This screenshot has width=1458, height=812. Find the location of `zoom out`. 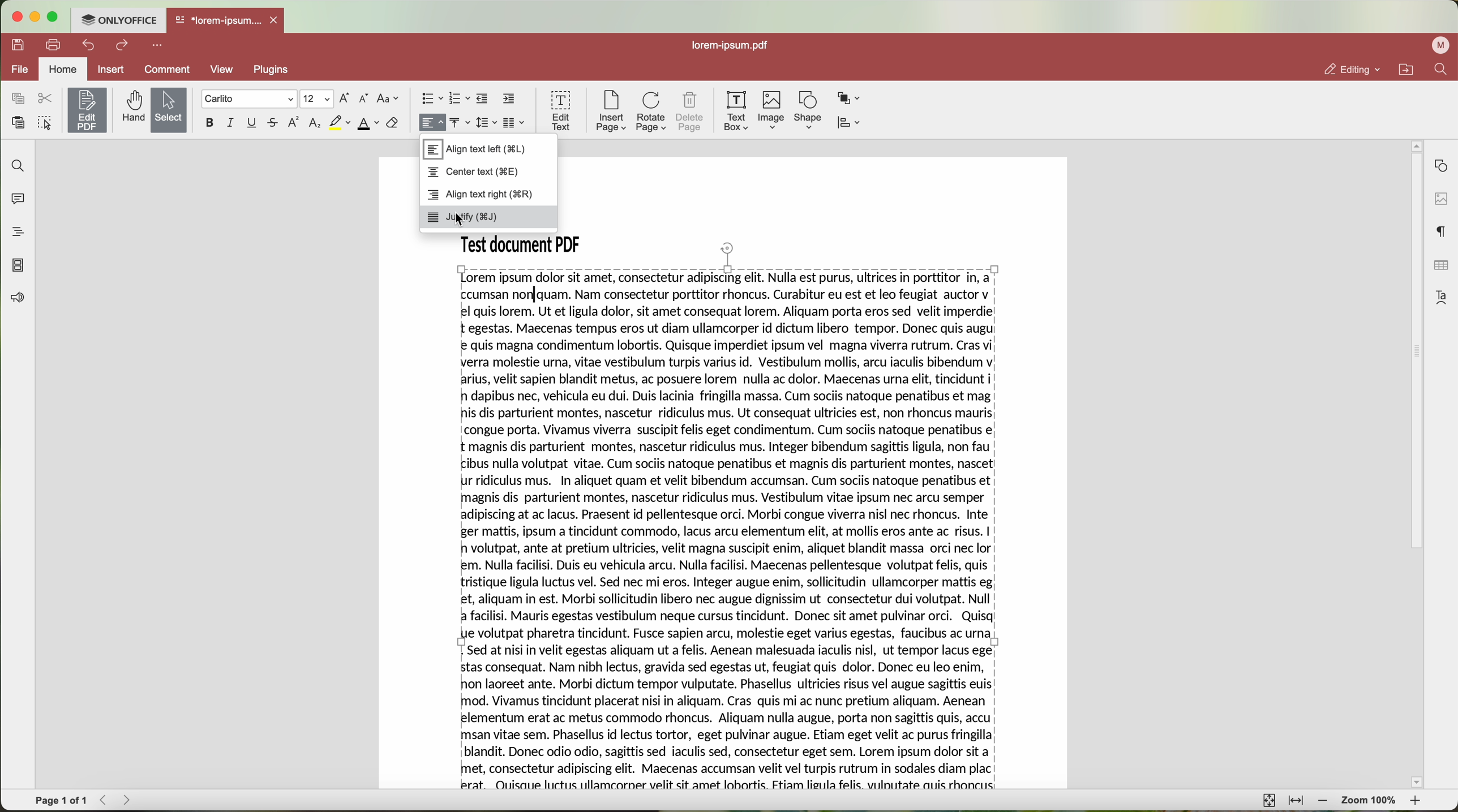

zoom out is located at coordinates (1321, 801).